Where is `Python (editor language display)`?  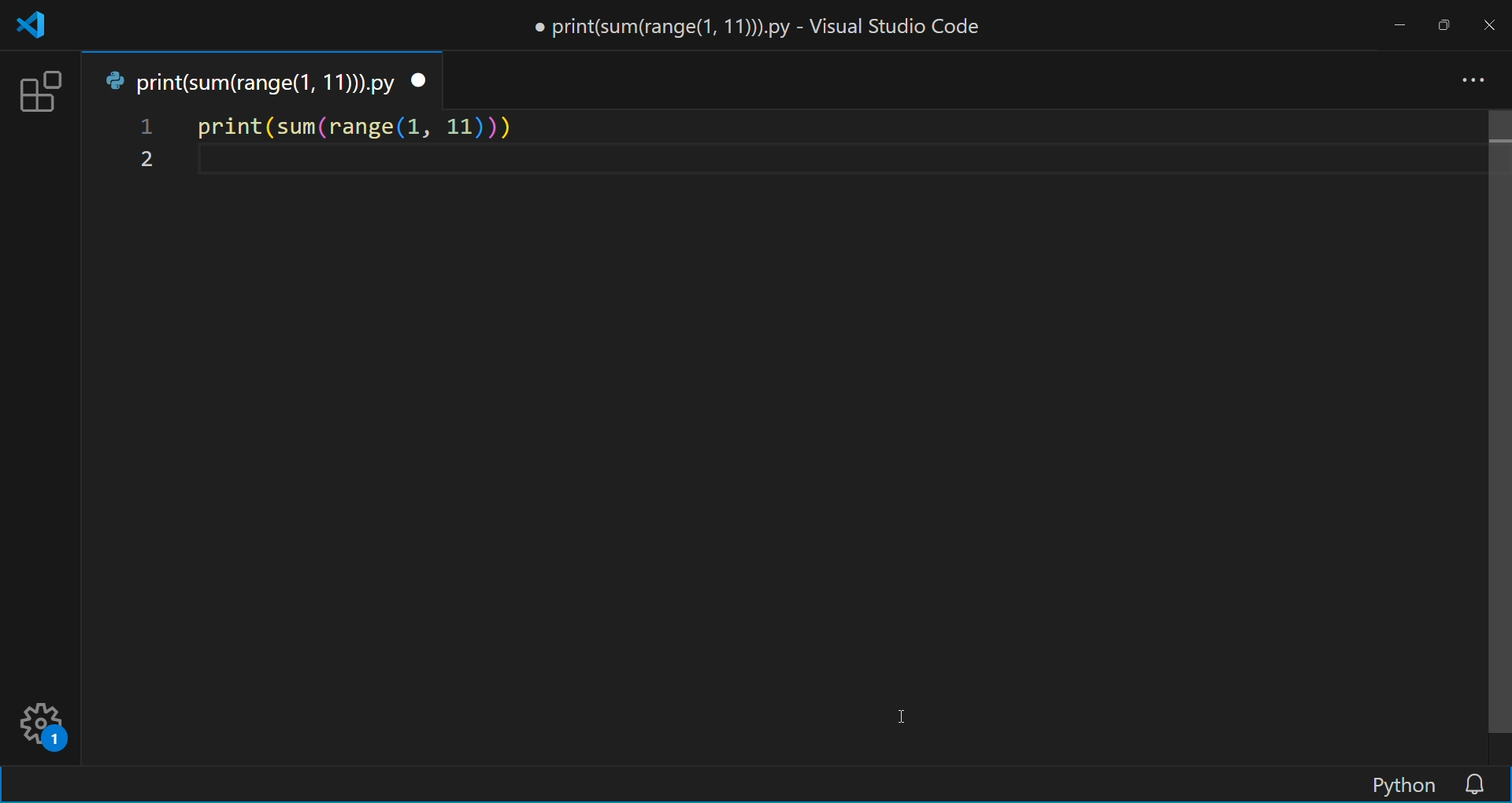 Python (editor language display) is located at coordinates (1402, 783).